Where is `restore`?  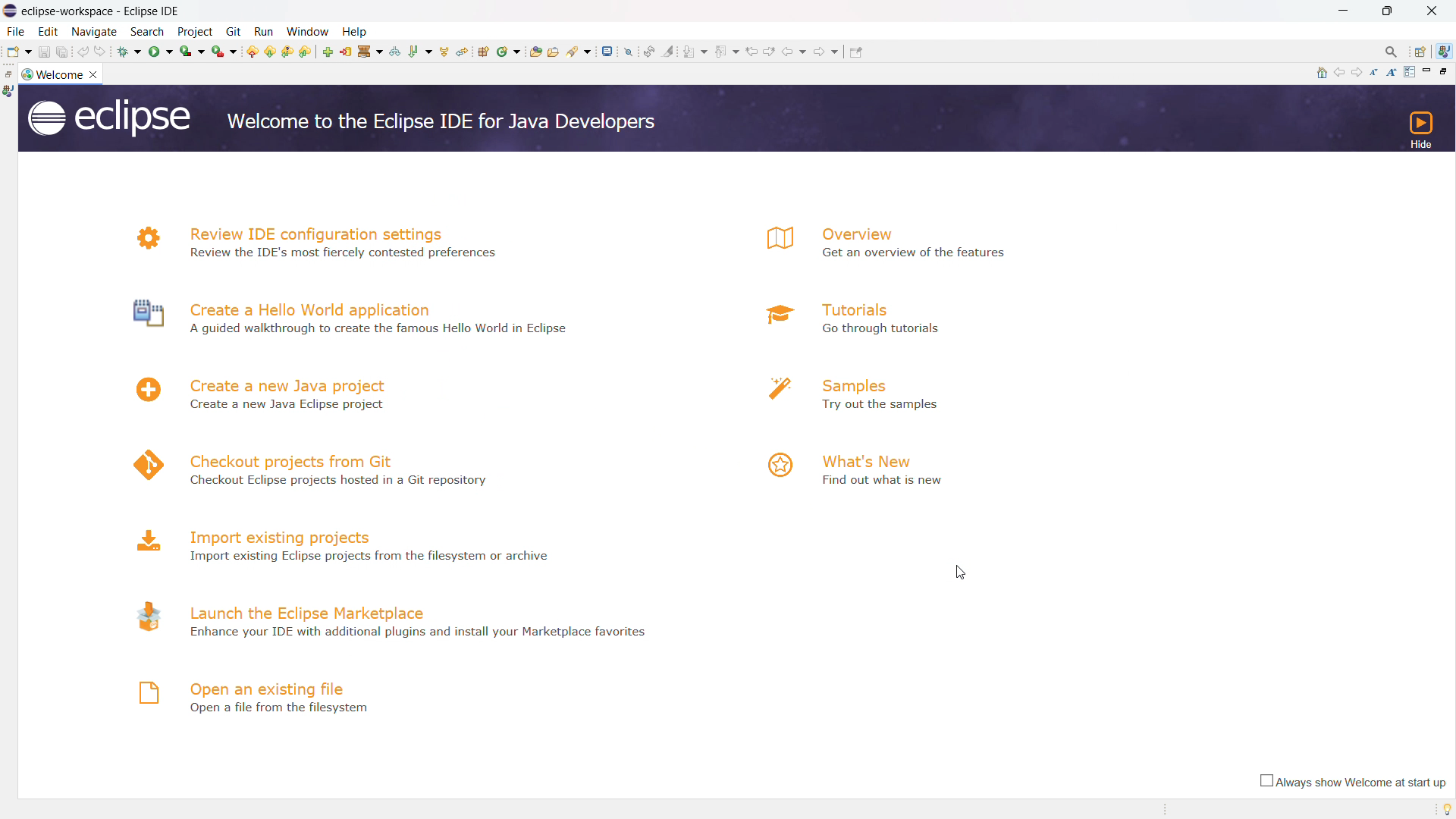 restore is located at coordinates (9, 74).